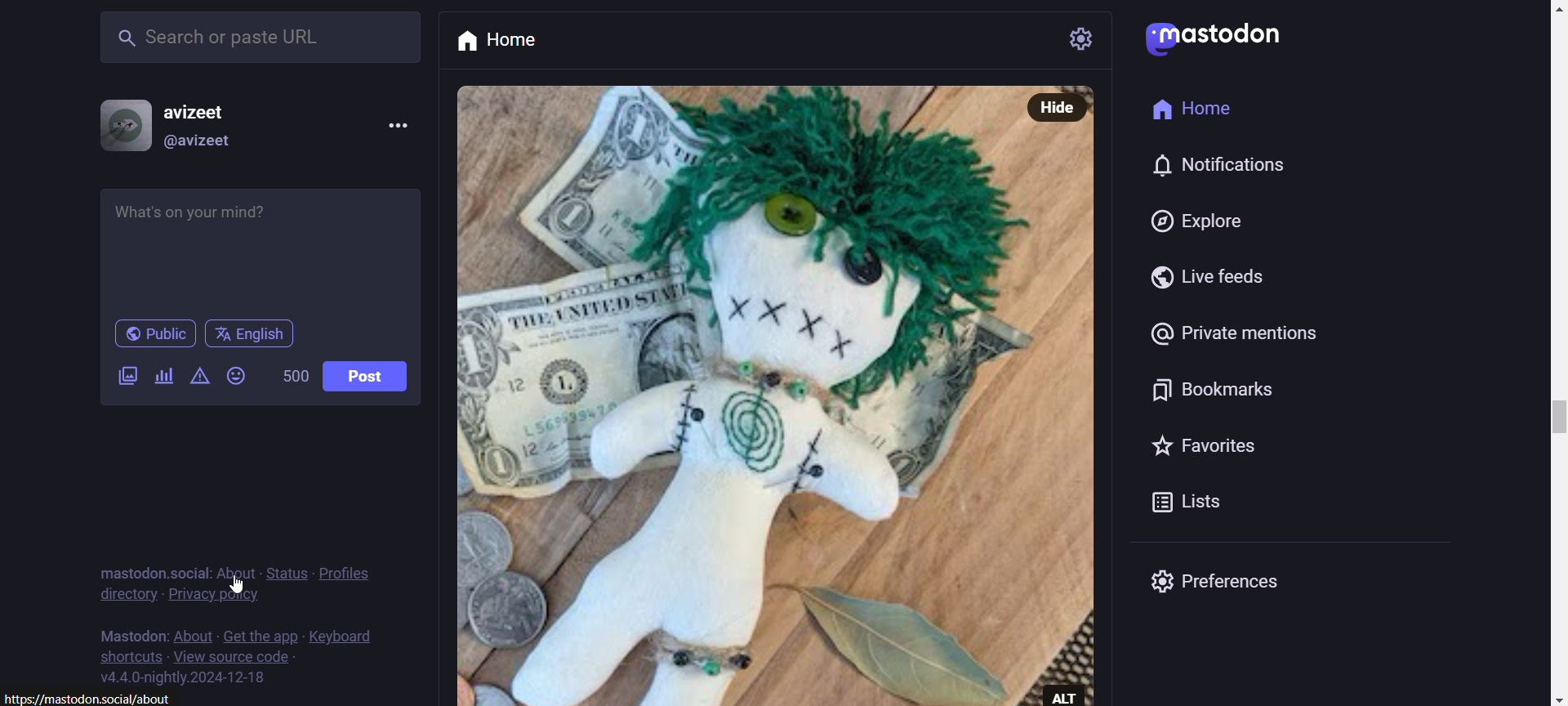 This screenshot has width=1568, height=706. What do you see at coordinates (239, 585) in the screenshot?
I see `cursor` at bounding box center [239, 585].